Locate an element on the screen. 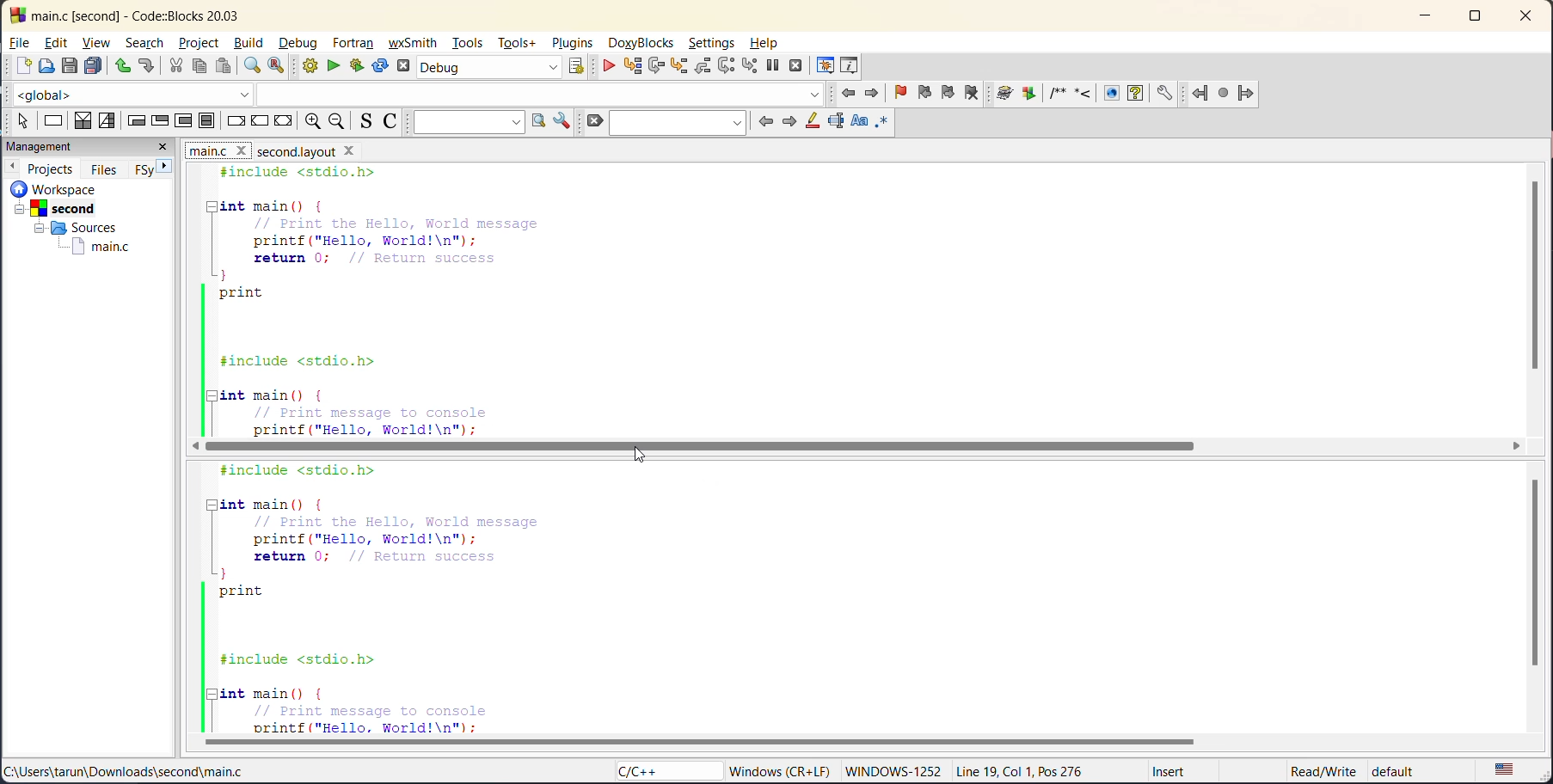  instruction is located at coordinates (53, 122).